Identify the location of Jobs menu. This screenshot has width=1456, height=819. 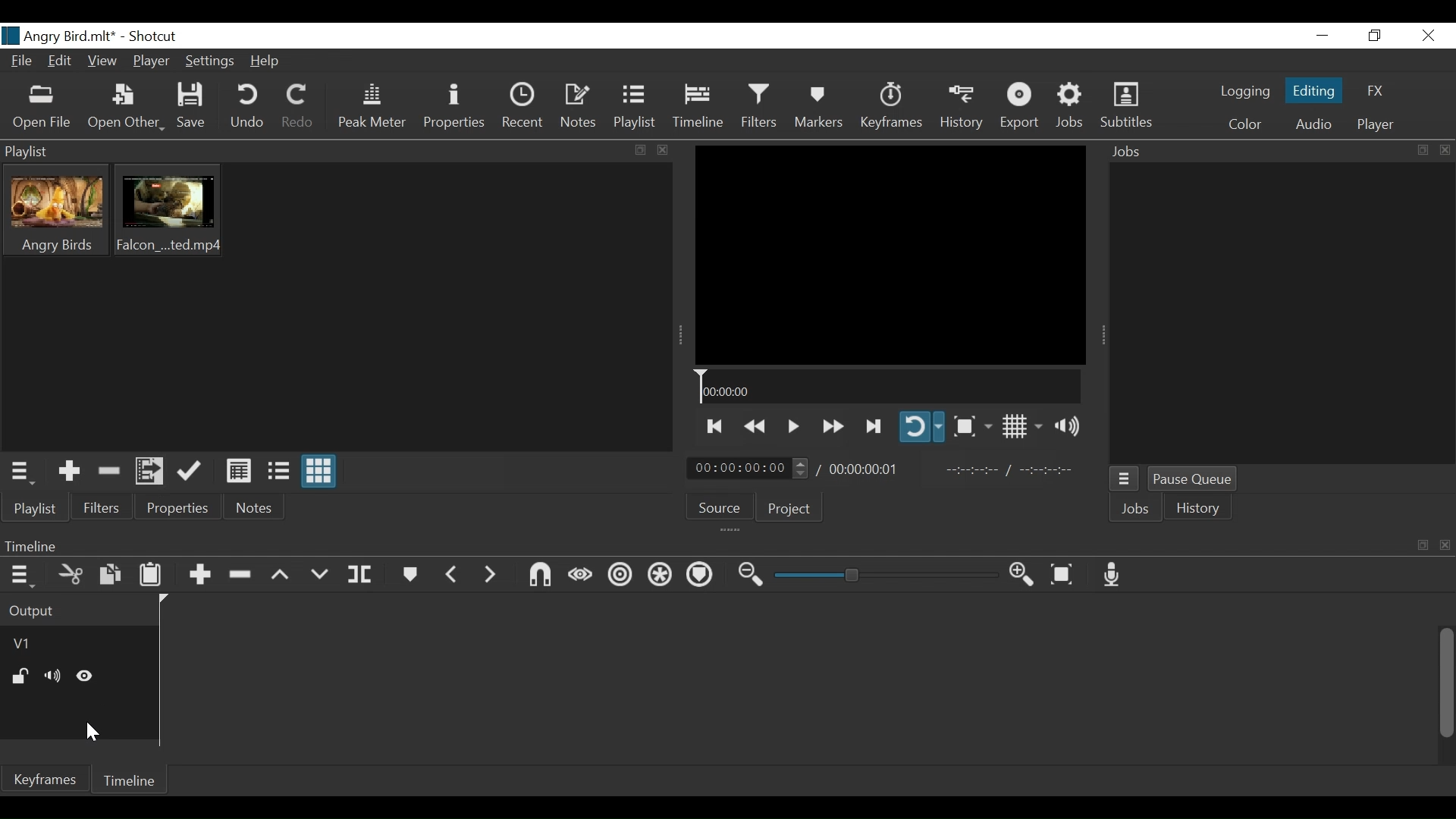
(1125, 479).